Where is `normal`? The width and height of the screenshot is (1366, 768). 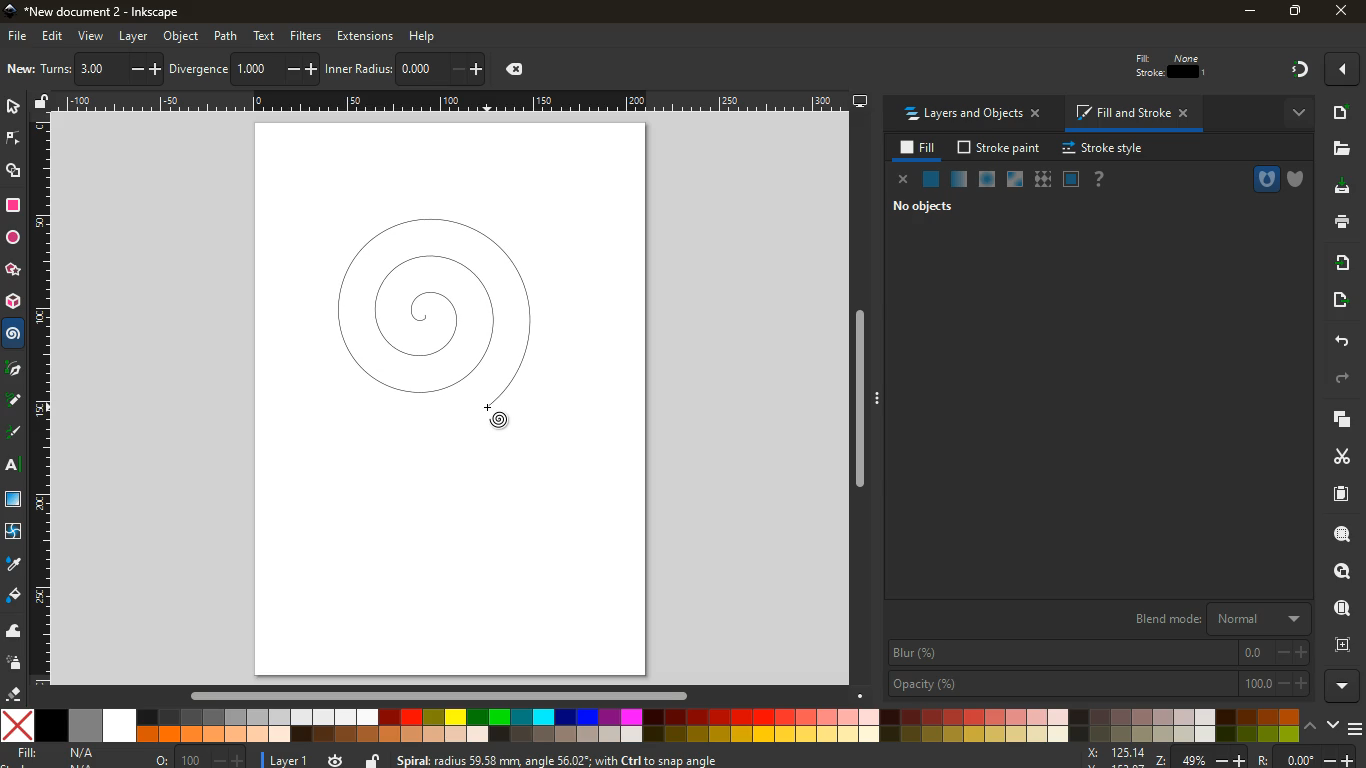
normal is located at coordinates (932, 180).